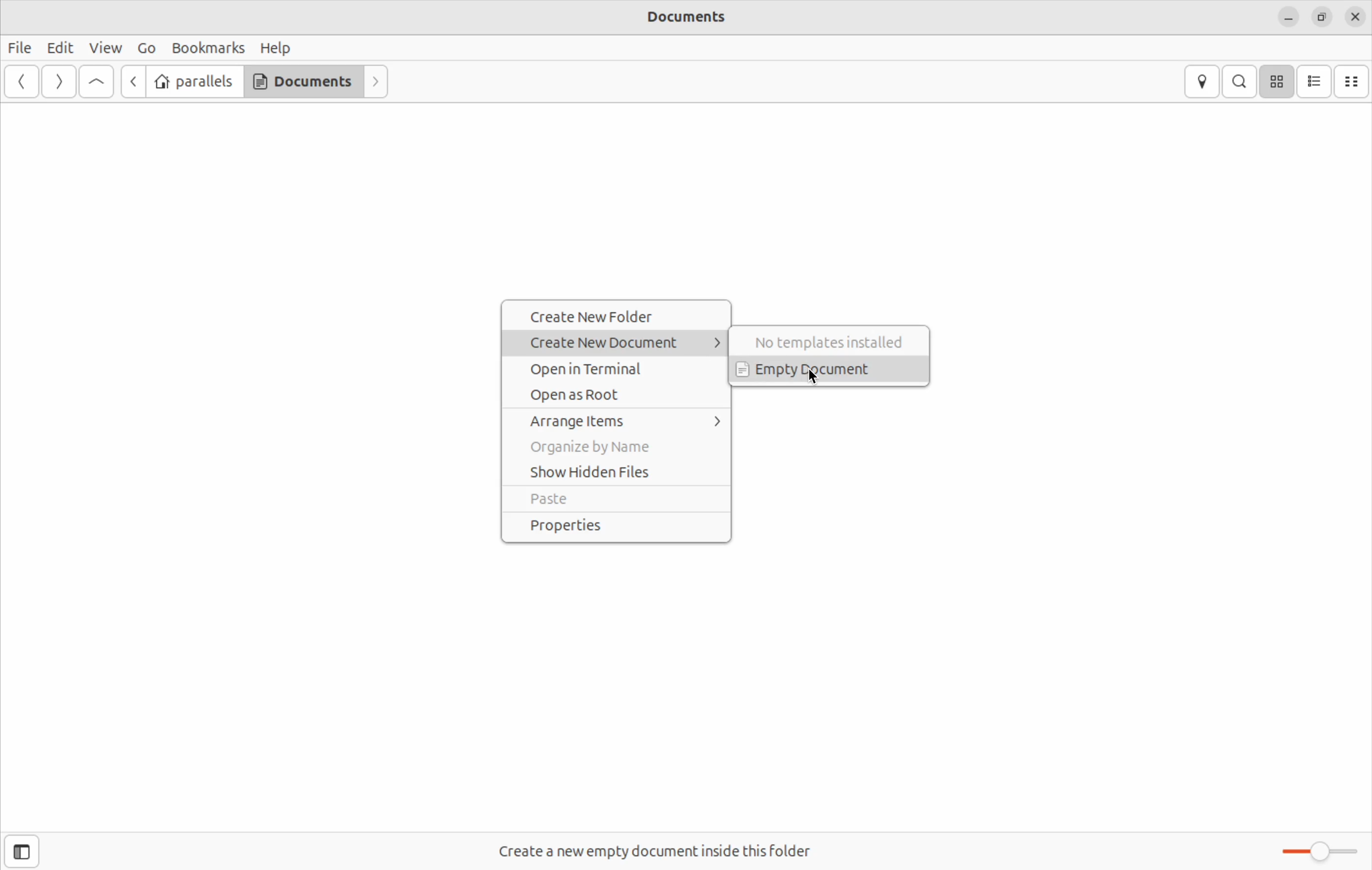 Image resolution: width=1372 pixels, height=870 pixels. What do you see at coordinates (1205, 82) in the screenshot?
I see `locations` at bounding box center [1205, 82].